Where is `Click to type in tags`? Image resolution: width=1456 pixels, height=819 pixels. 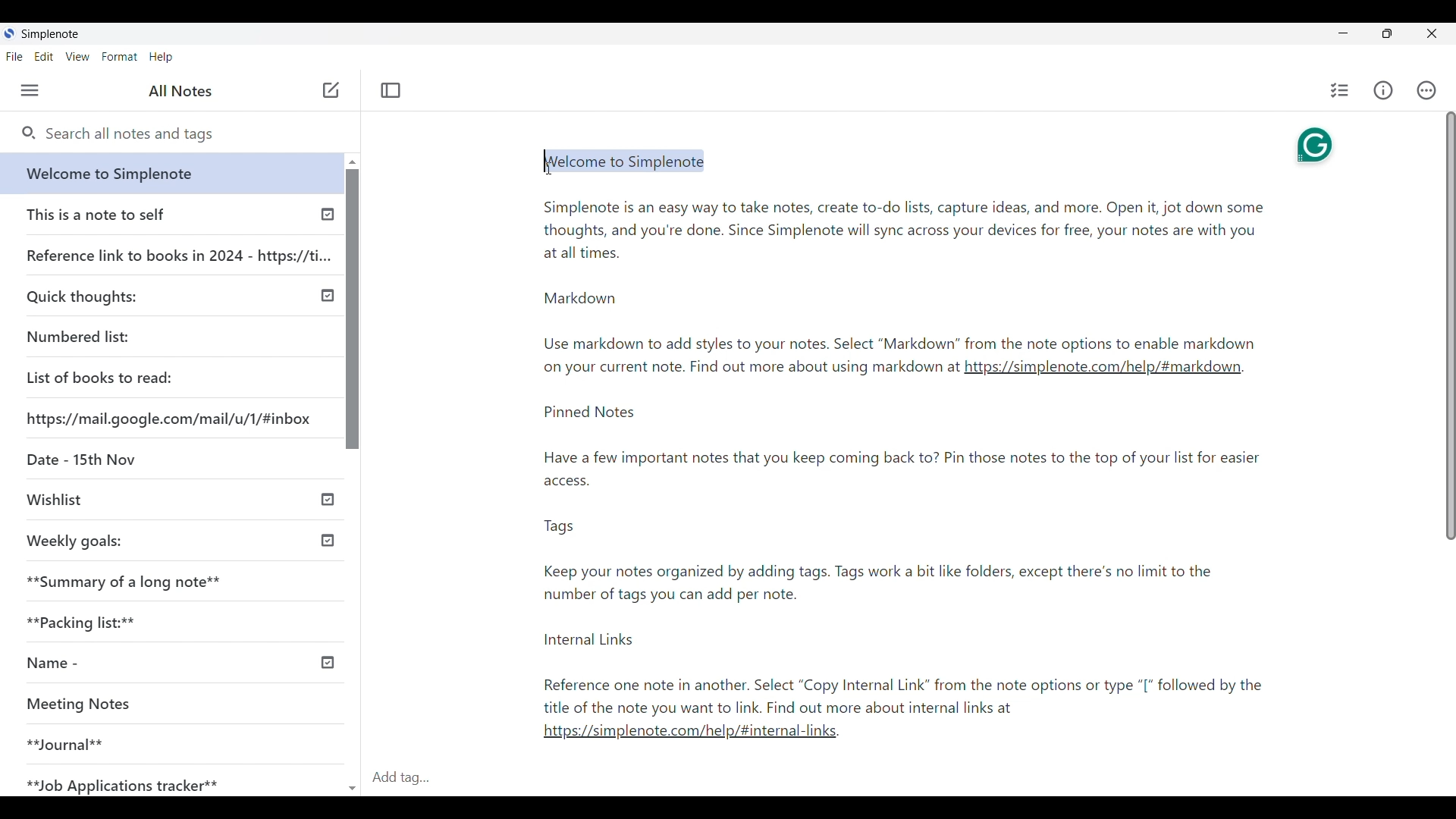
Click to type in tags is located at coordinates (908, 778).